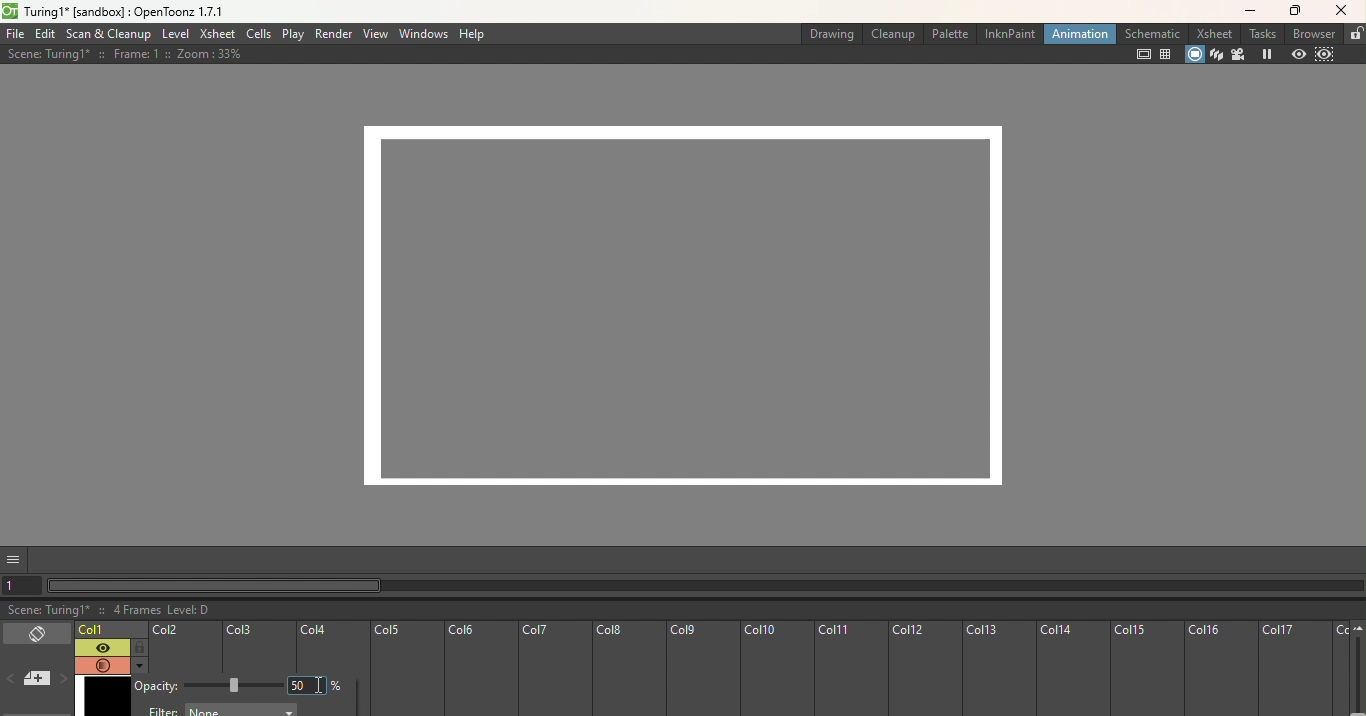 The width and height of the screenshot is (1366, 716). I want to click on Filter, so click(222, 710).